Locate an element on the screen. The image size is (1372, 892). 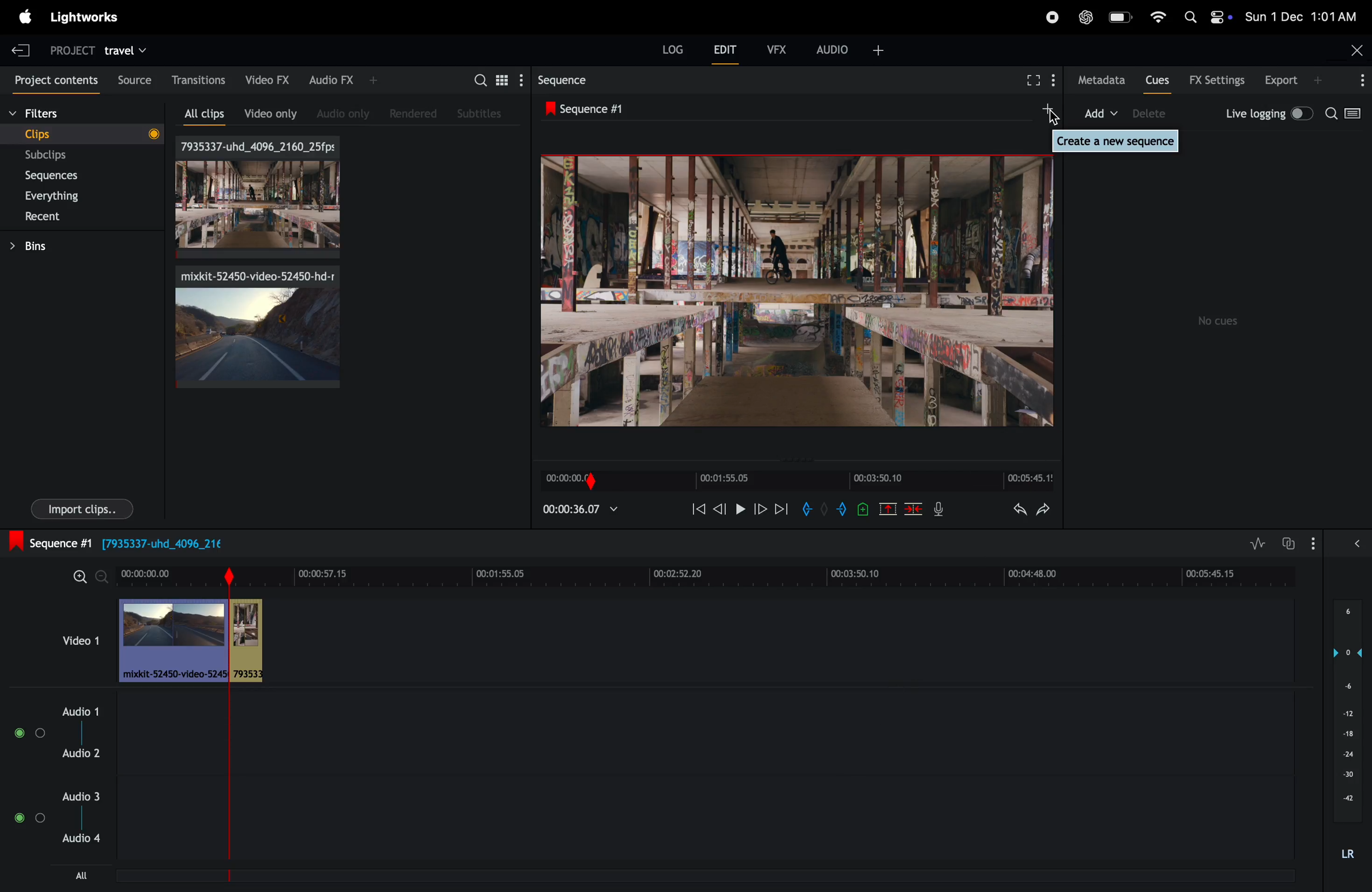
all is located at coordinates (82, 875).